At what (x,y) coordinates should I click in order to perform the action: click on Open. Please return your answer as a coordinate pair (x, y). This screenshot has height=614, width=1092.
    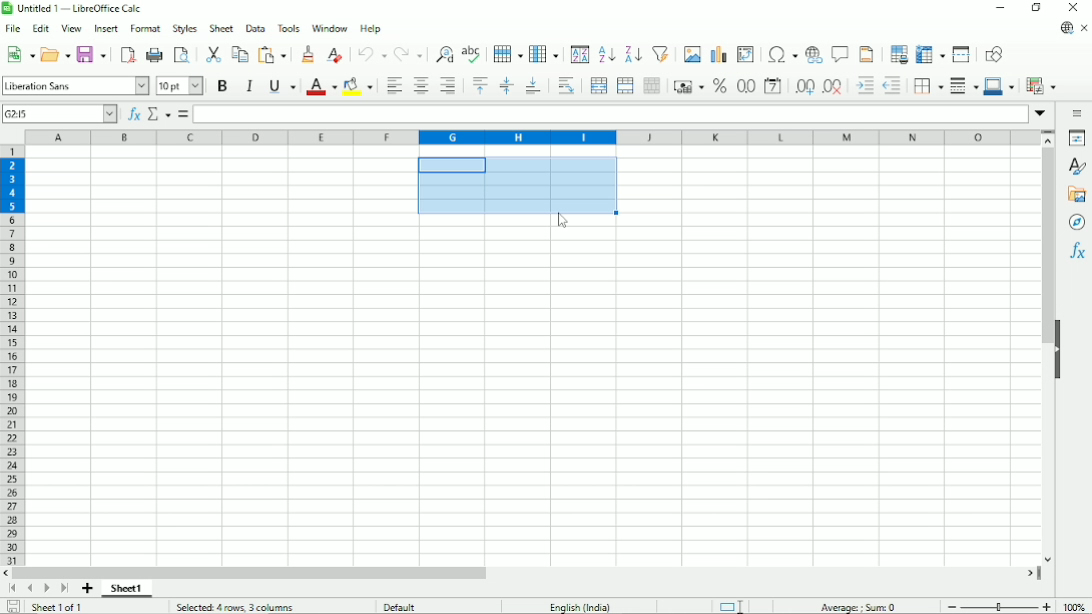
    Looking at the image, I should click on (55, 54).